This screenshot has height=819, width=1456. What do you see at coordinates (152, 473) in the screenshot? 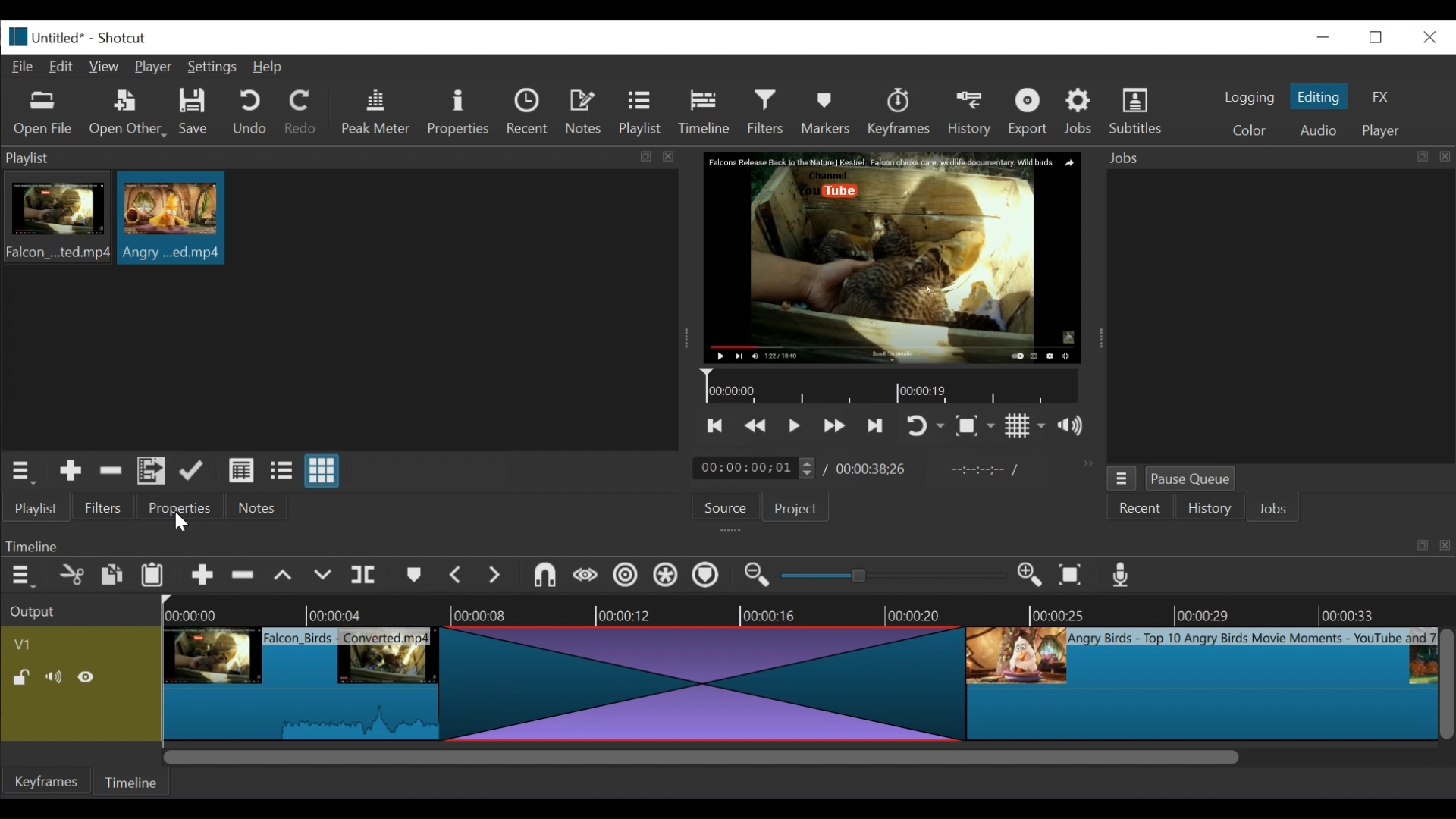
I see `Add files to playlist` at bounding box center [152, 473].